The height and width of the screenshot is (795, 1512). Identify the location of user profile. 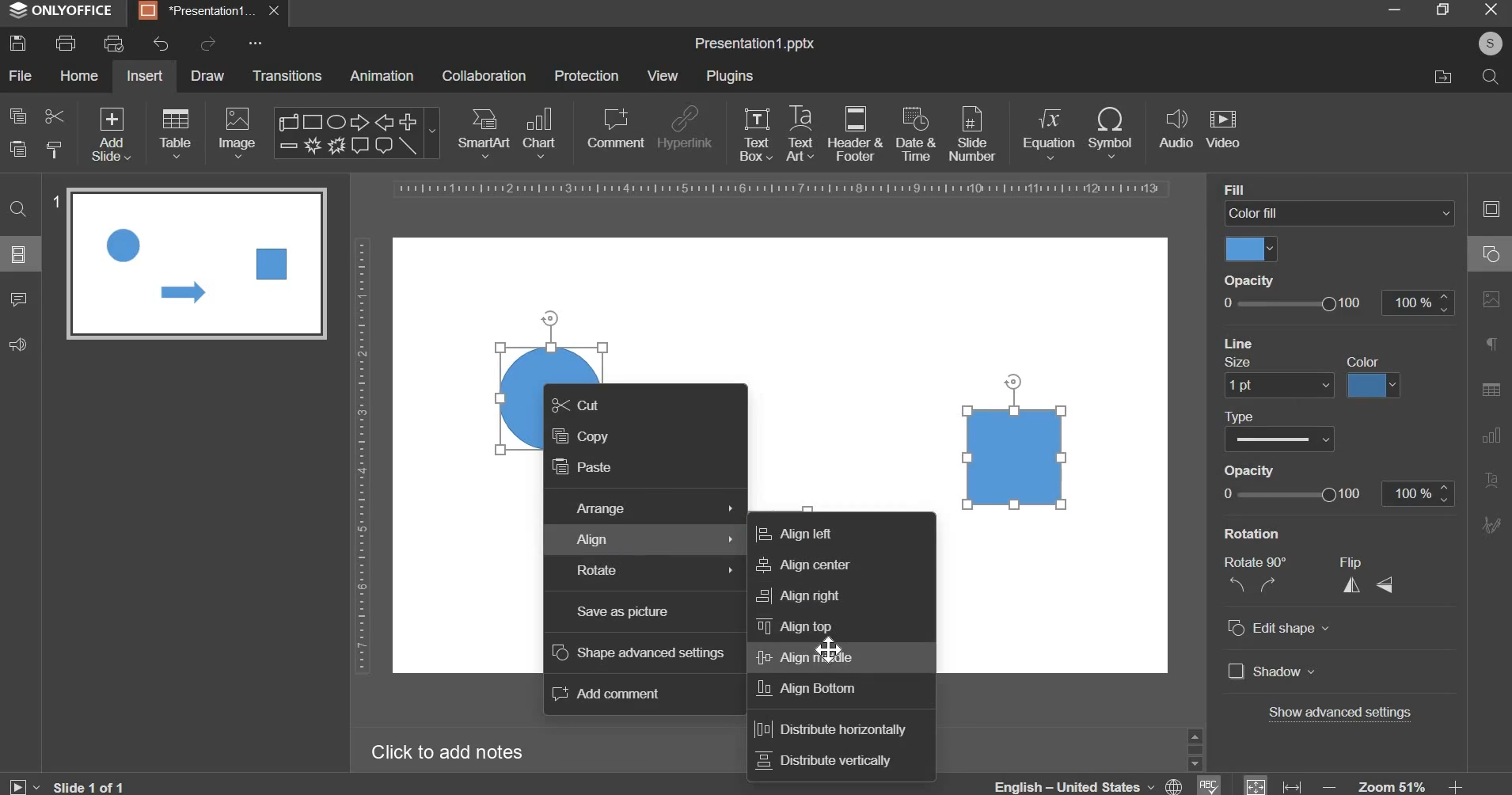
(1489, 41).